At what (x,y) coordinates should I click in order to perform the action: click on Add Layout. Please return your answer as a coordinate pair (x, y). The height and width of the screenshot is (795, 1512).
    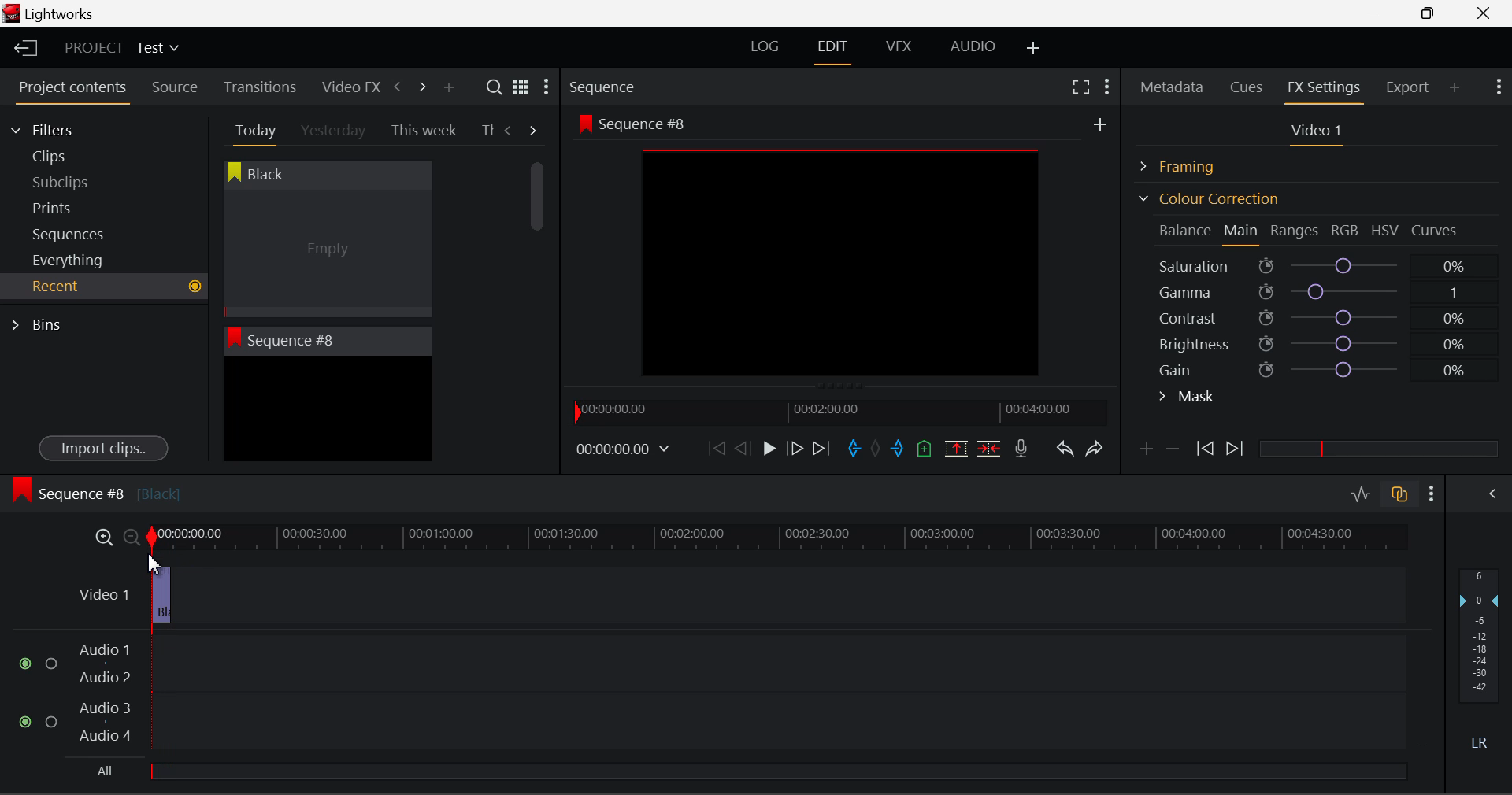
    Looking at the image, I should click on (1034, 49).